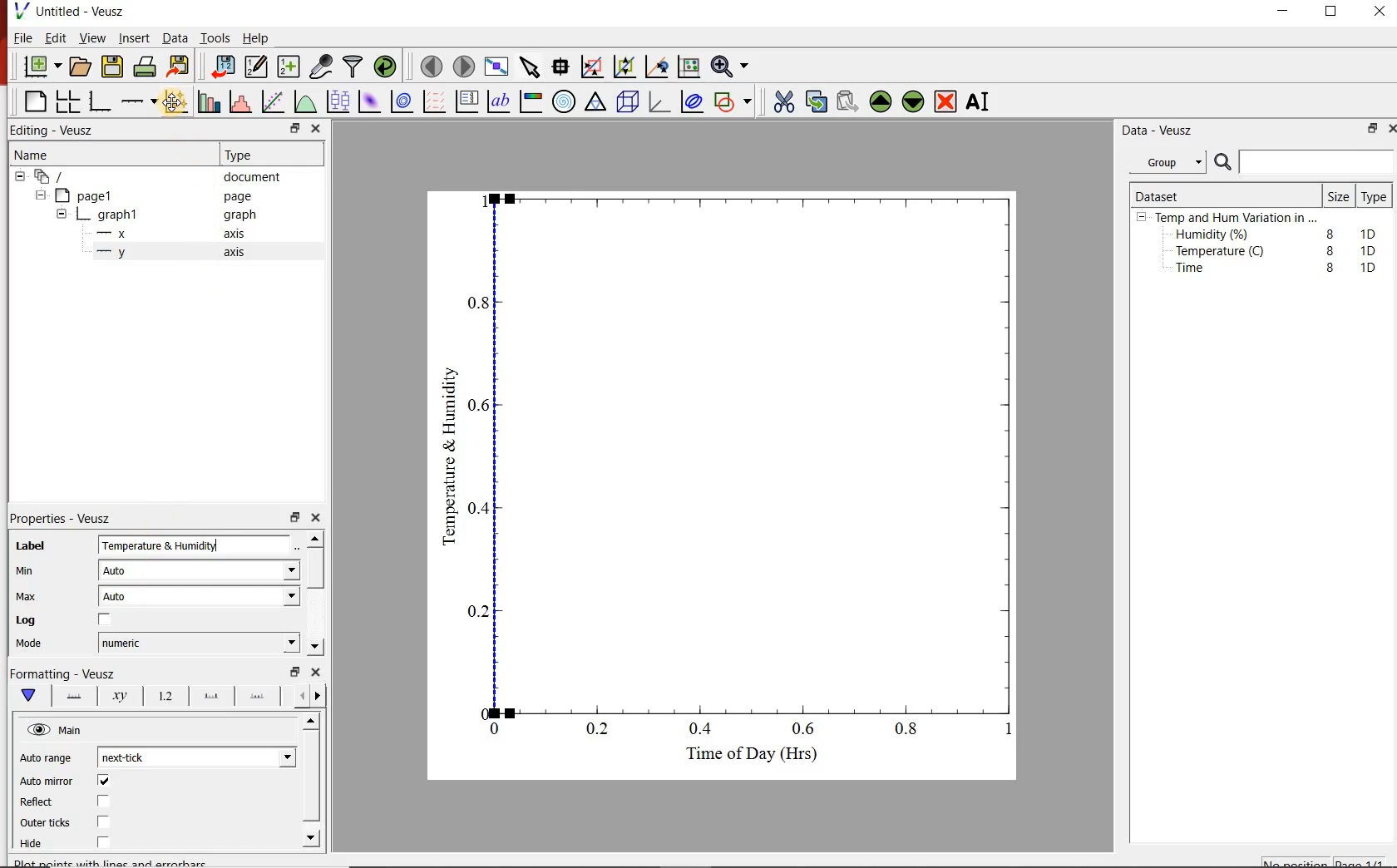 Image resolution: width=1397 pixels, height=868 pixels. I want to click on plot box plots, so click(338, 102).